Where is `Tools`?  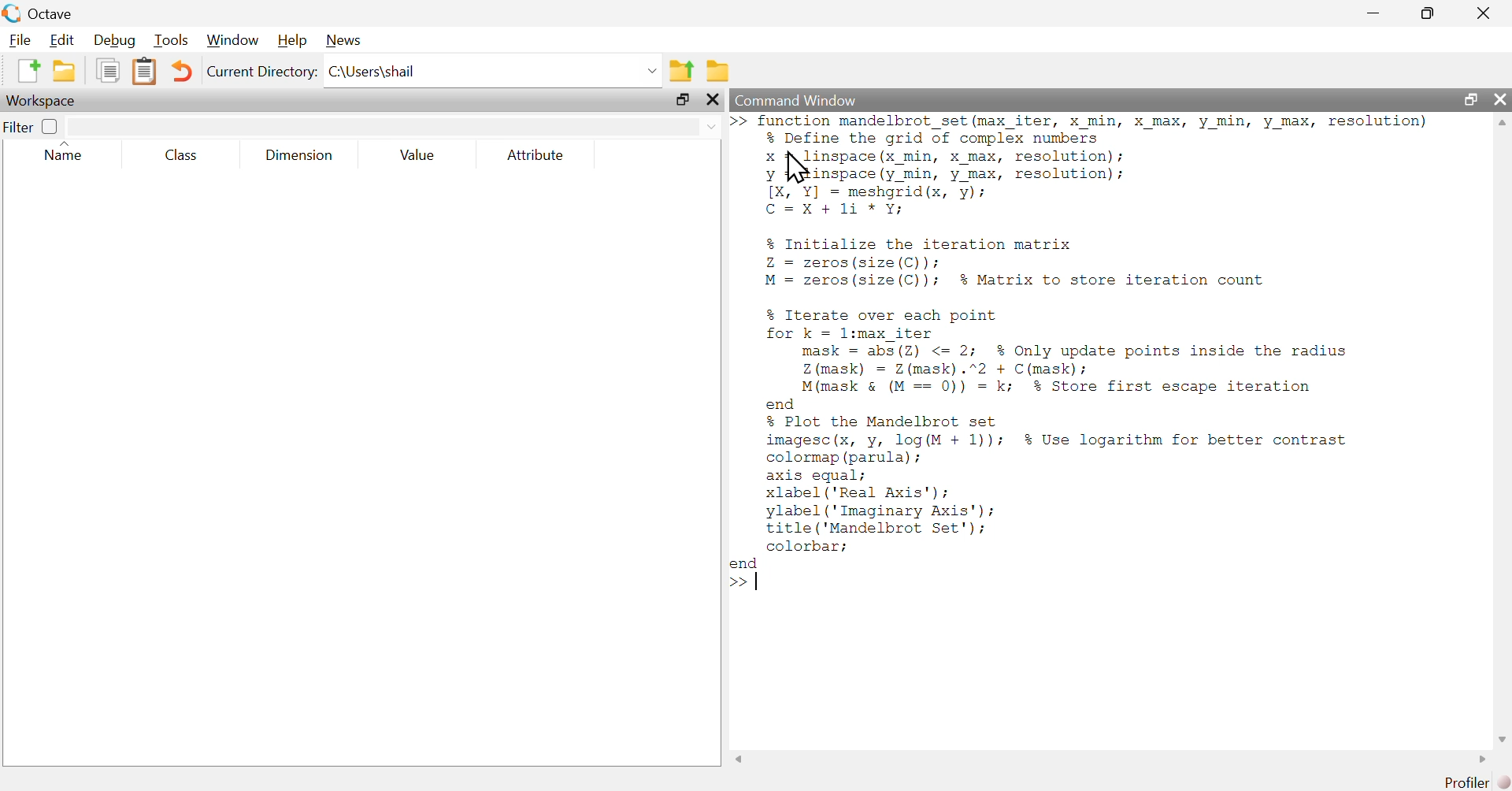 Tools is located at coordinates (169, 41).